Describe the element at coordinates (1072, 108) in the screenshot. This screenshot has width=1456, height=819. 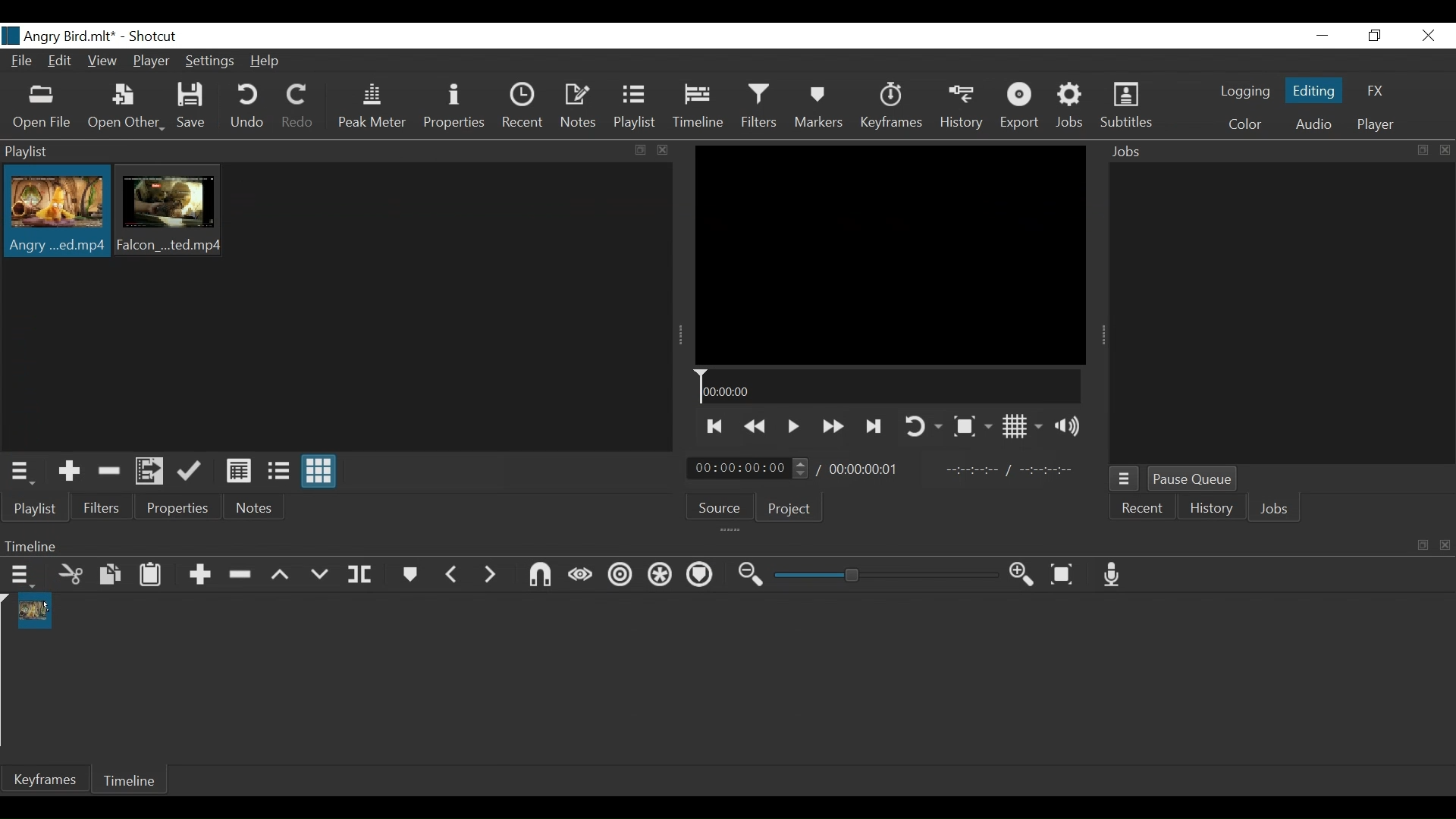
I see `Jobs` at that location.